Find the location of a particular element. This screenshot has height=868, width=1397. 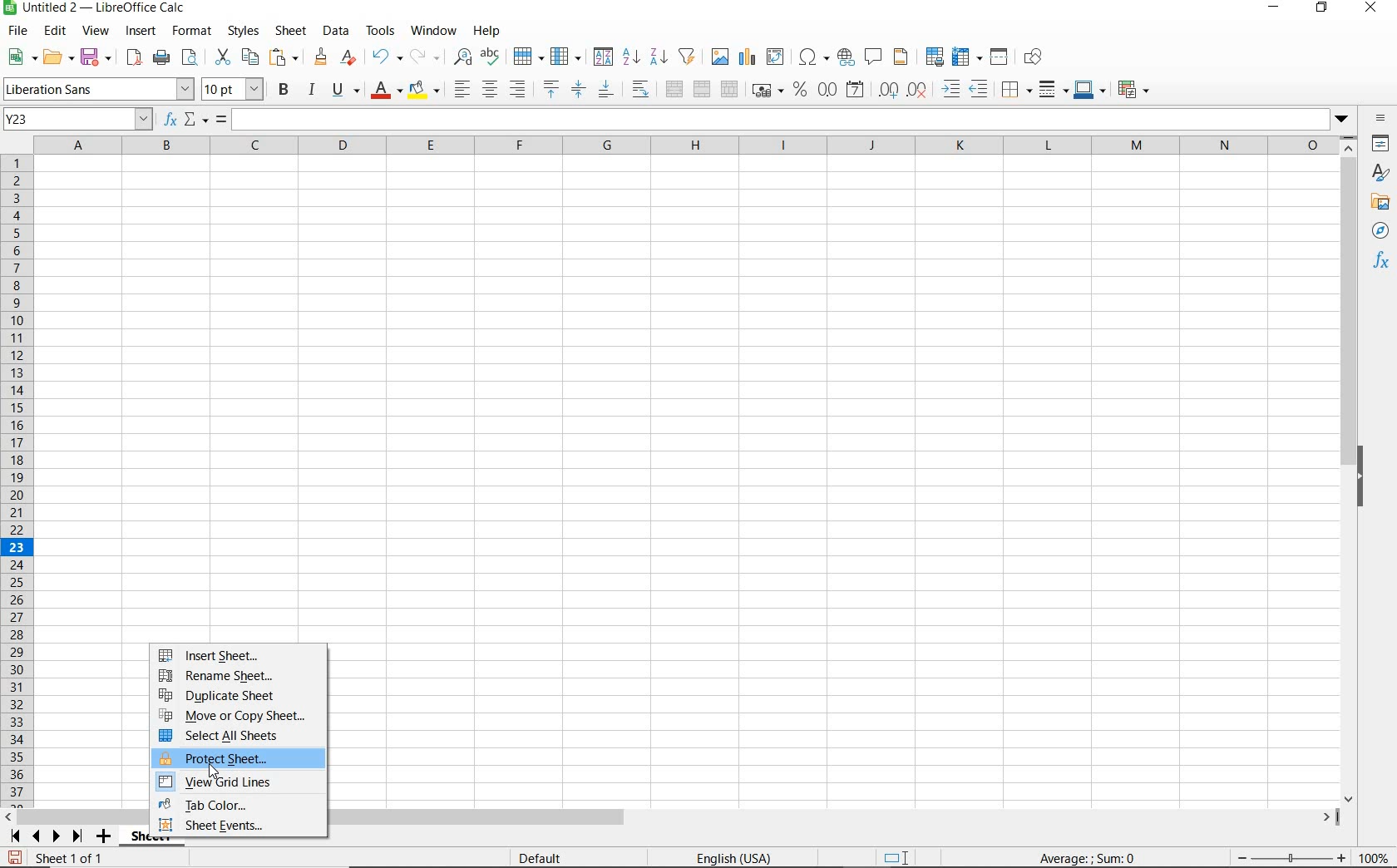

SCROLL TO NEXT SHEET is located at coordinates (47, 836).